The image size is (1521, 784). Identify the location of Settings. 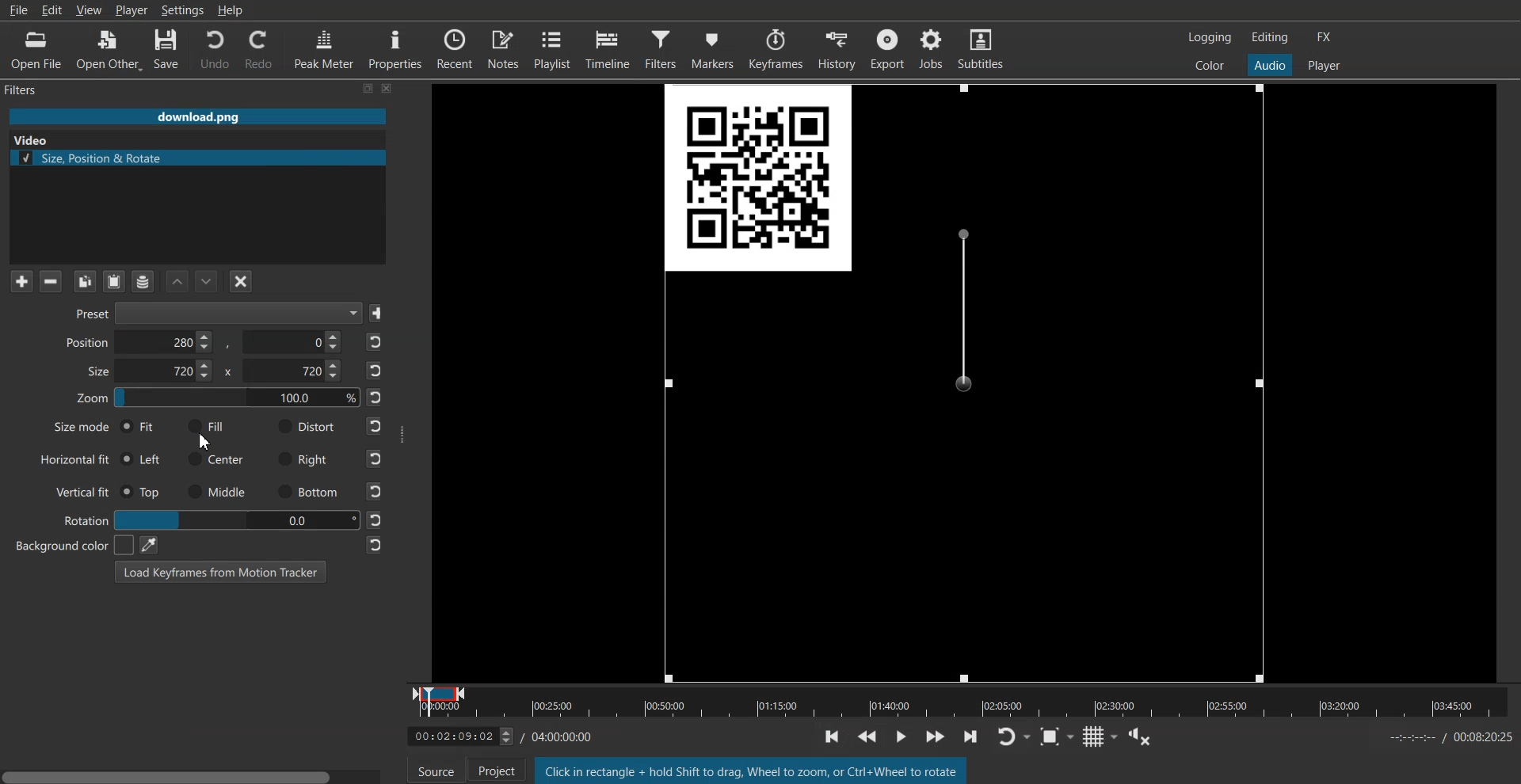
(183, 10).